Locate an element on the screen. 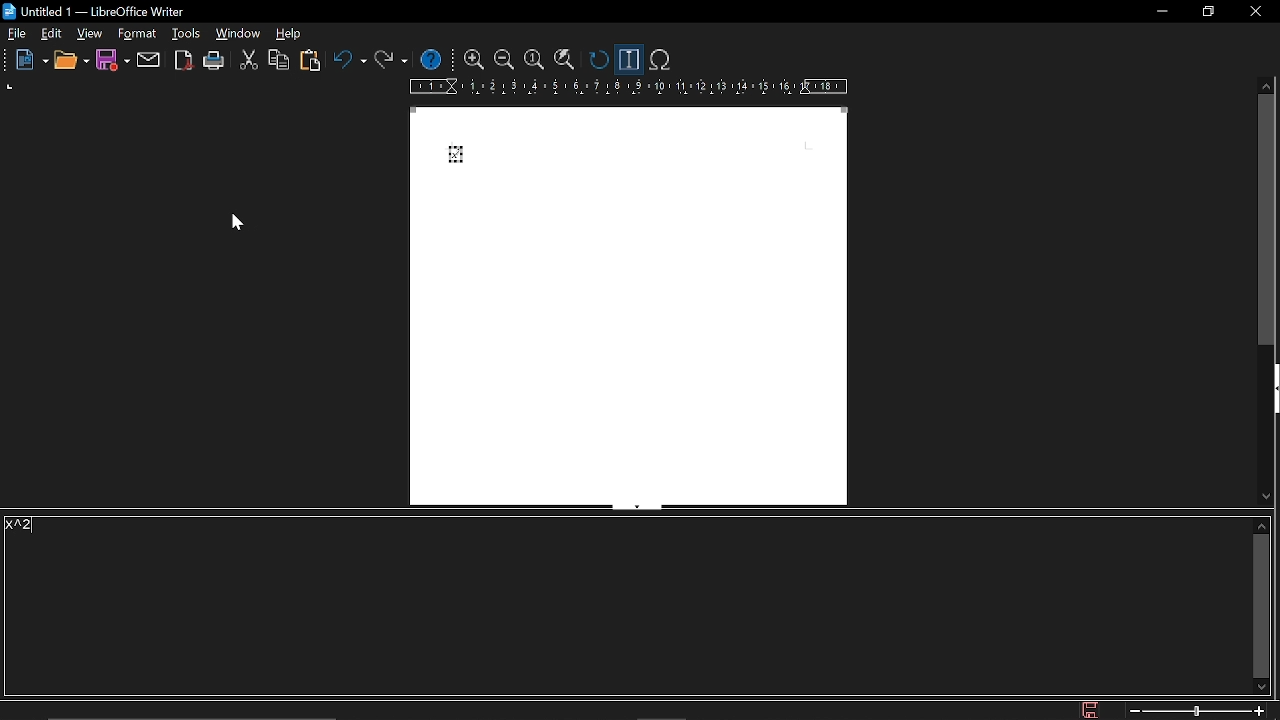 This screenshot has height=720, width=1280. column options is located at coordinates (13, 87).